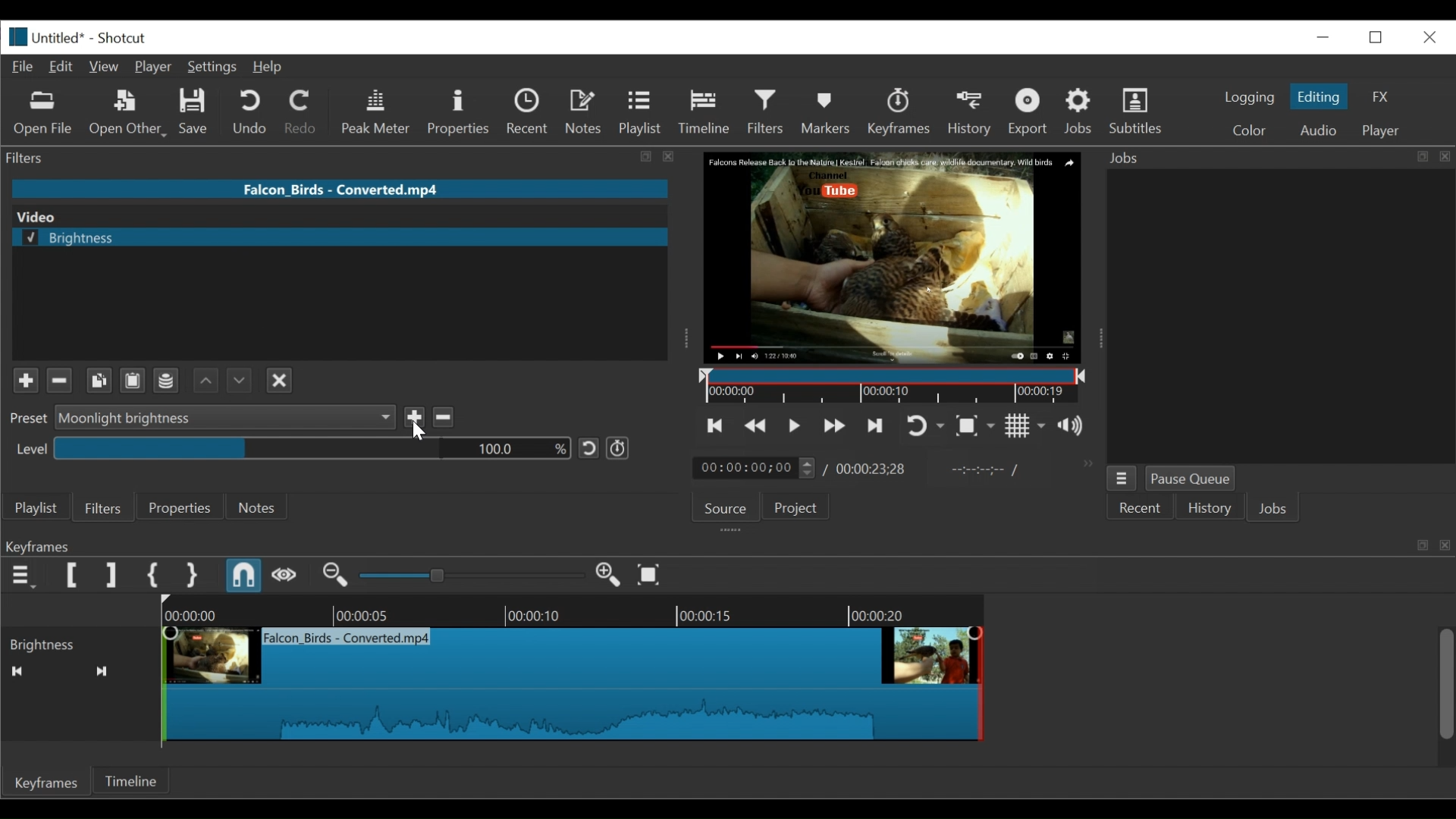 This screenshot has width=1456, height=819. What do you see at coordinates (1123, 479) in the screenshot?
I see `Jobs Menu` at bounding box center [1123, 479].